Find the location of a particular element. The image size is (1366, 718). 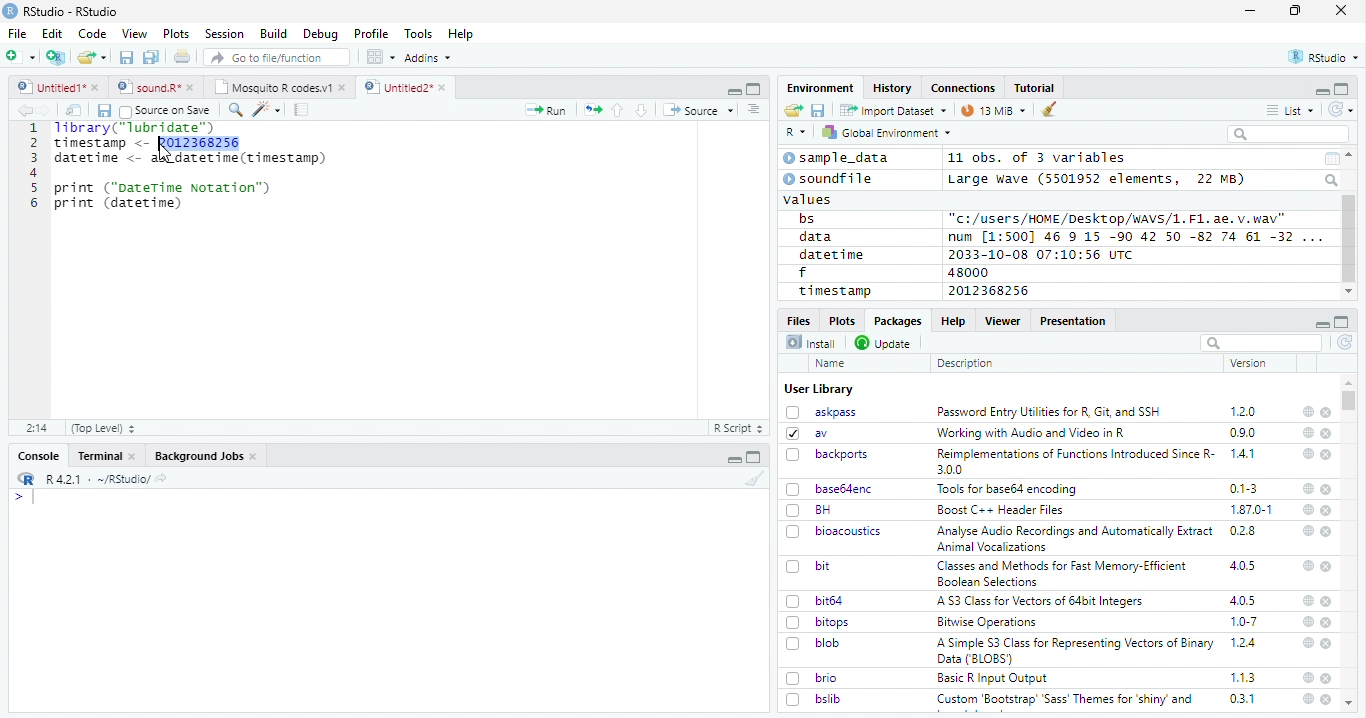

48000 is located at coordinates (966, 272).